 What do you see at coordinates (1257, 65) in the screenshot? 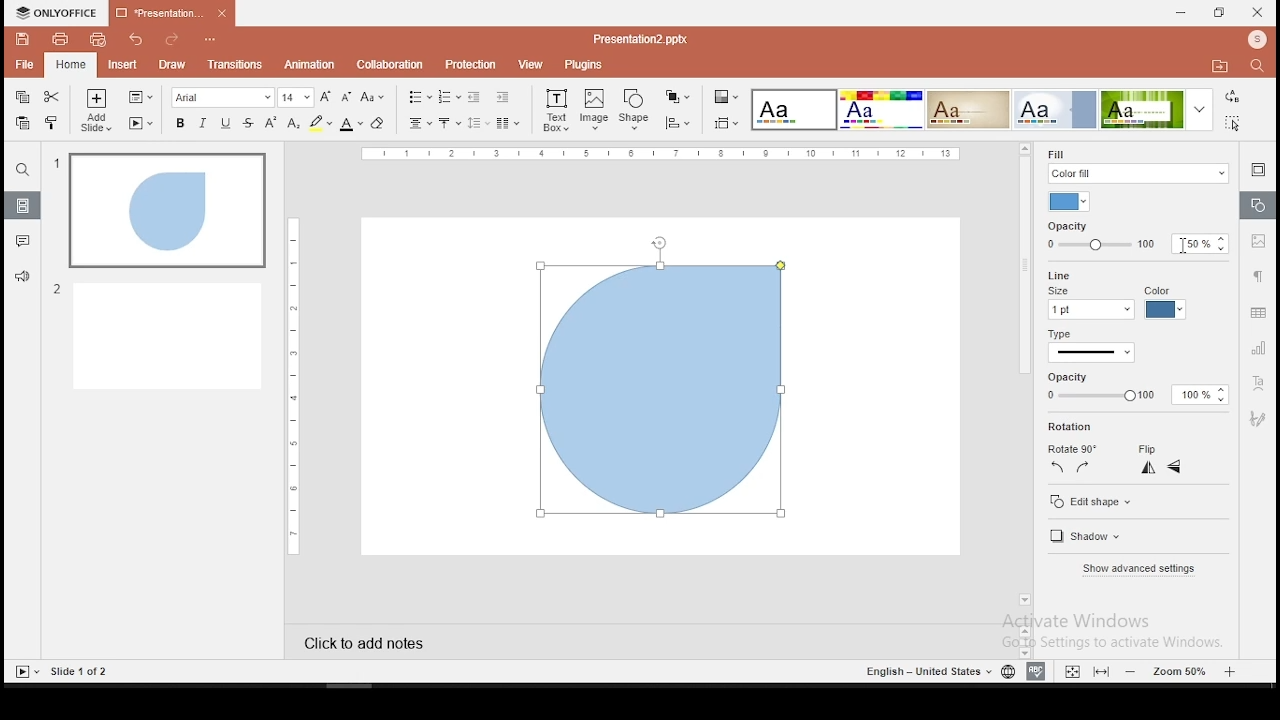
I see `find` at bounding box center [1257, 65].